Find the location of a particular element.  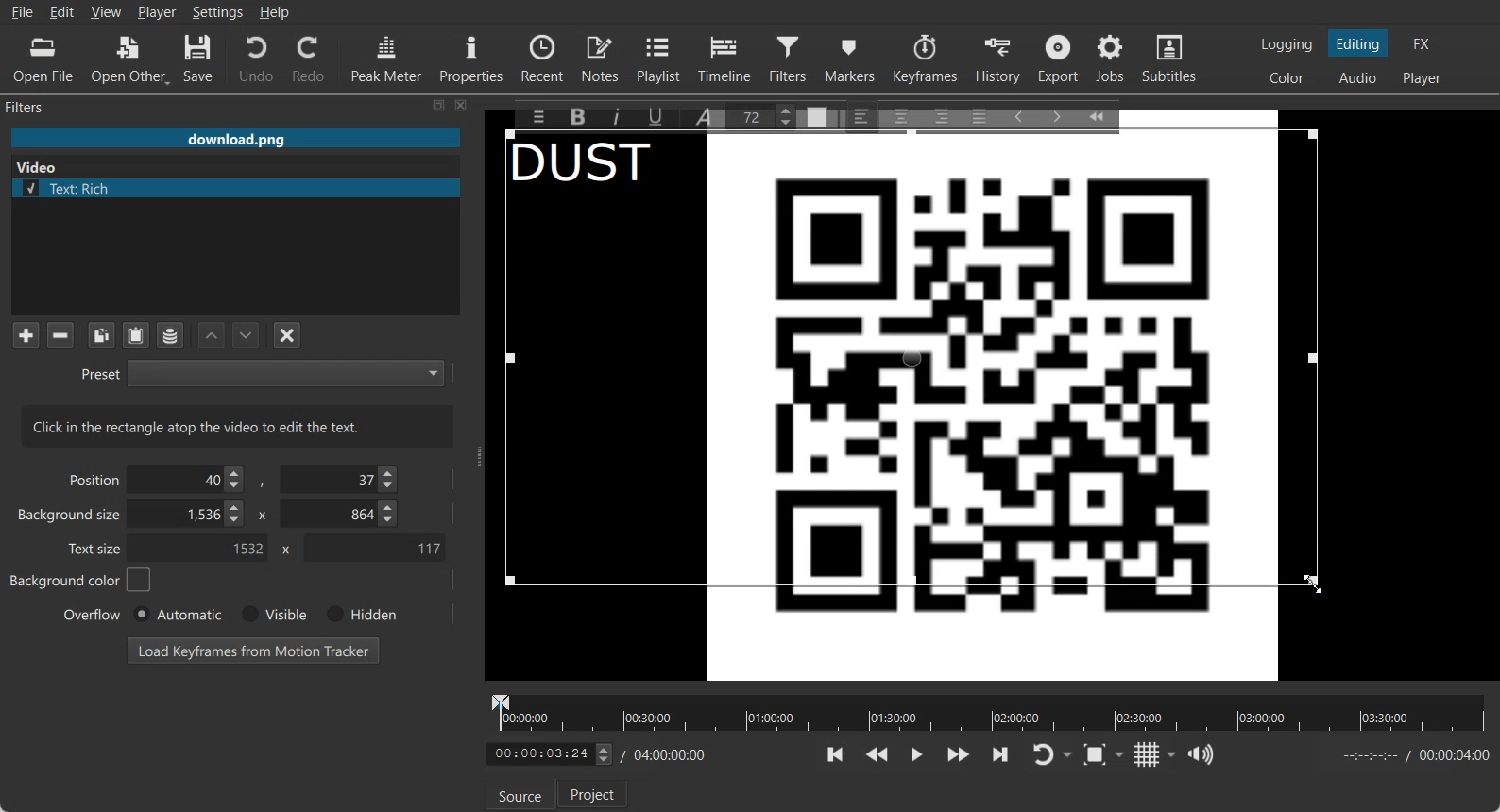

Switching to the Effect layout is located at coordinates (1423, 43).